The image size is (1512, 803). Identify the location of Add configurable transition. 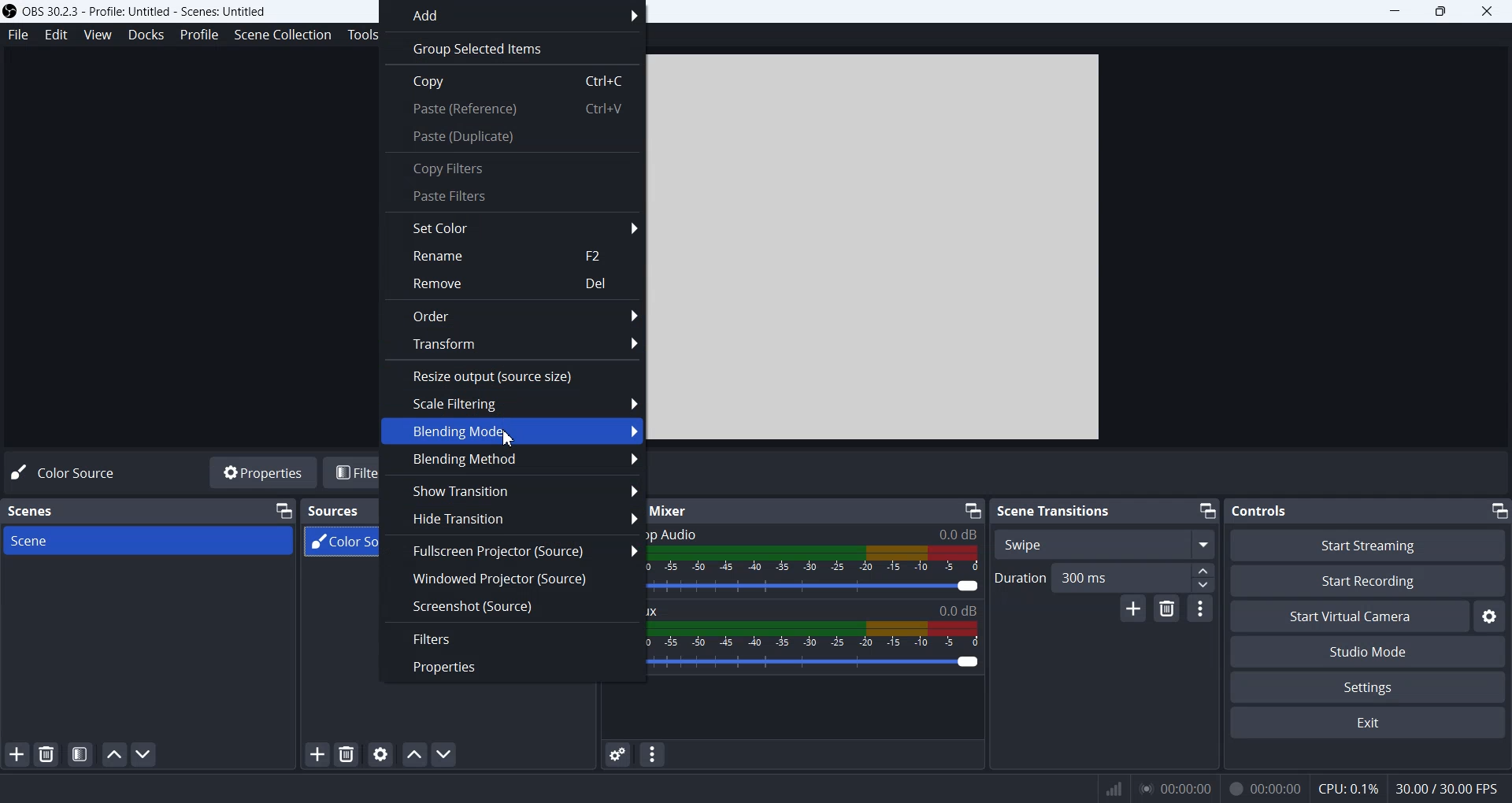
(1133, 609).